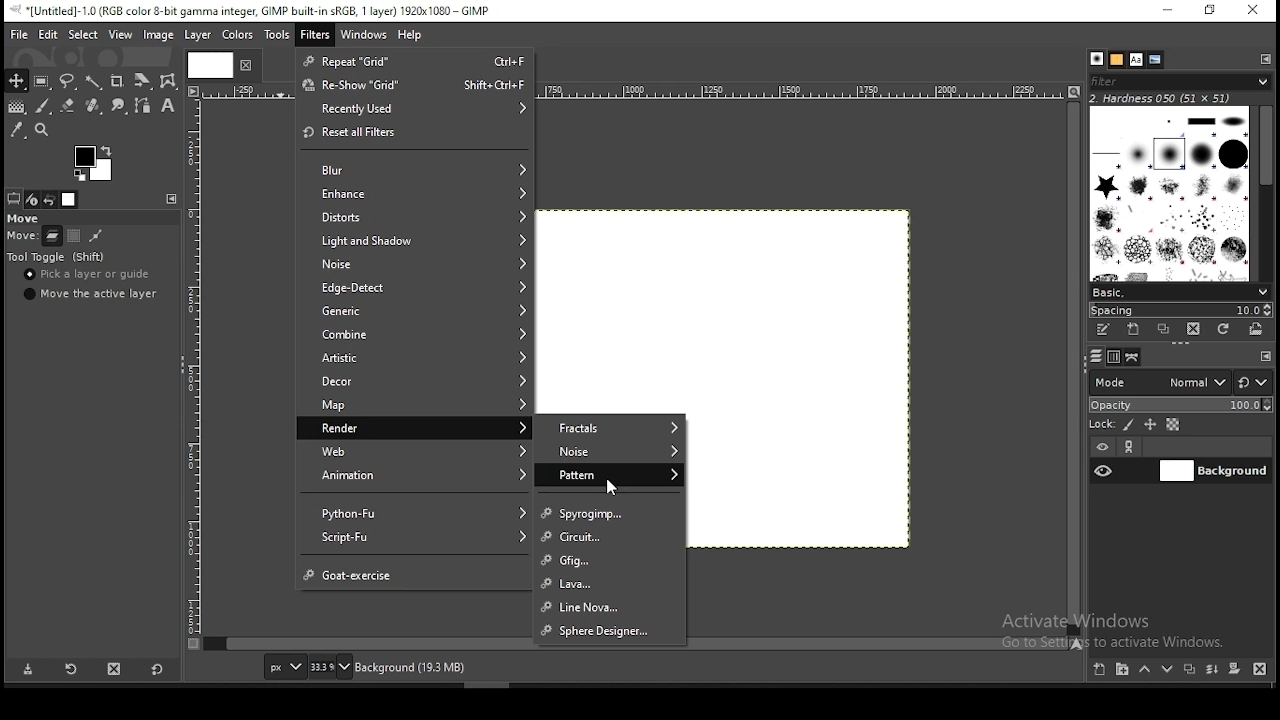  What do you see at coordinates (173, 199) in the screenshot?
I see `cinfigure this tab` at bounding box center [173, 199].